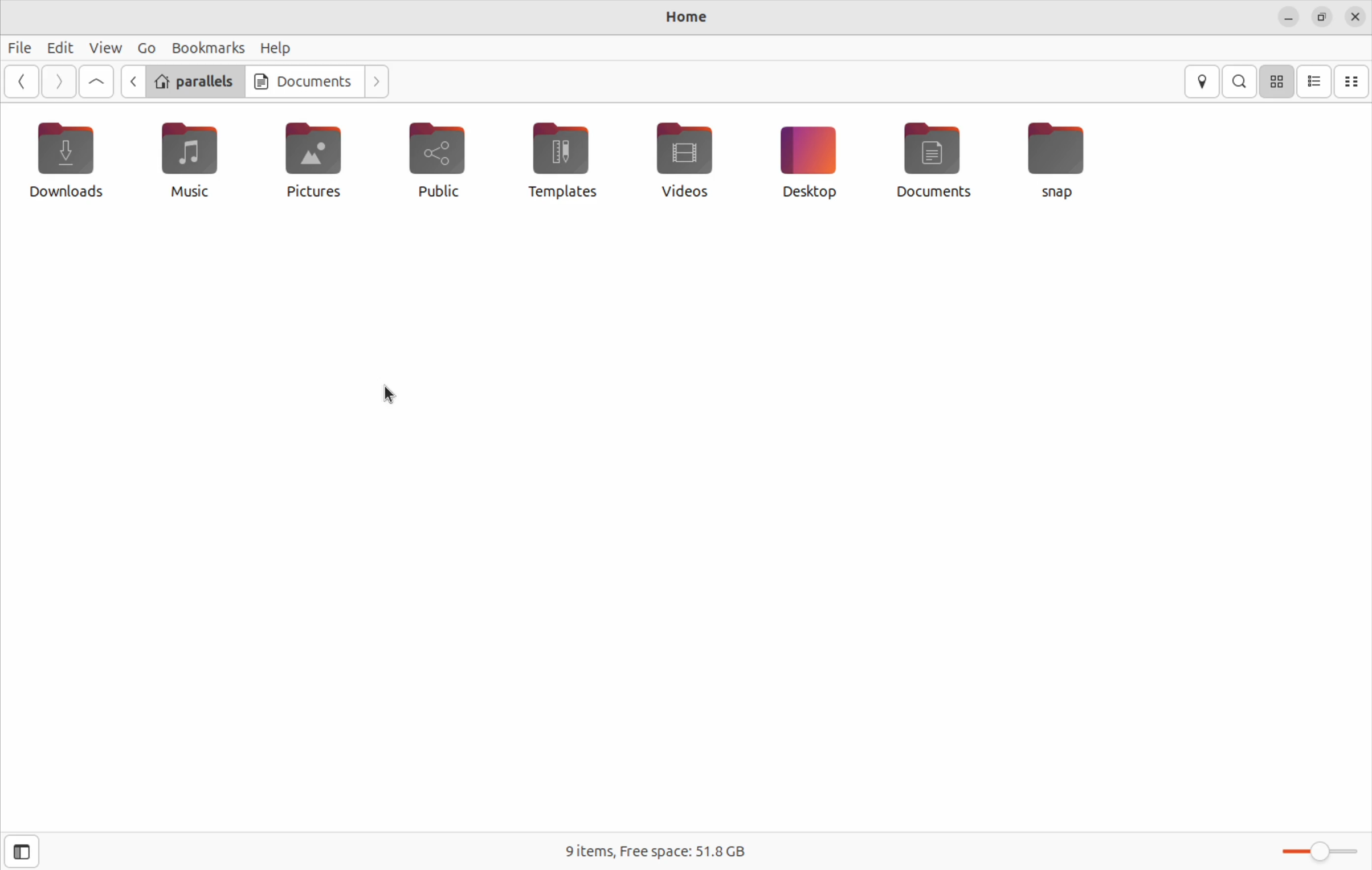  Describe the element at coordinates (132, 82) in the screenshot. I see `previous` at that location.